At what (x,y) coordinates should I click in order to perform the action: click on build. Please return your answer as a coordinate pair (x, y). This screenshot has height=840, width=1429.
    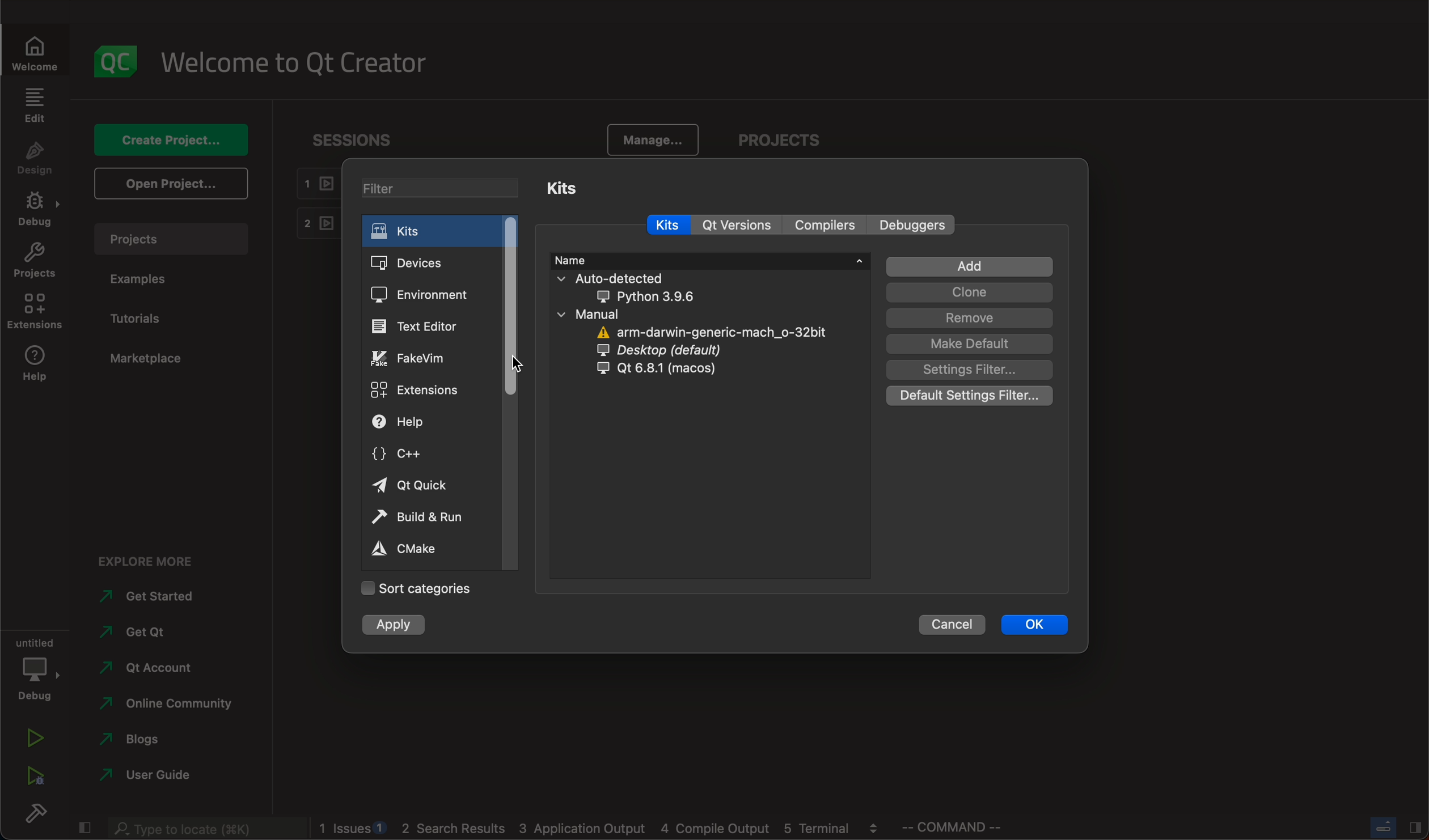
    Looking at the image, I should click on (40, 816).